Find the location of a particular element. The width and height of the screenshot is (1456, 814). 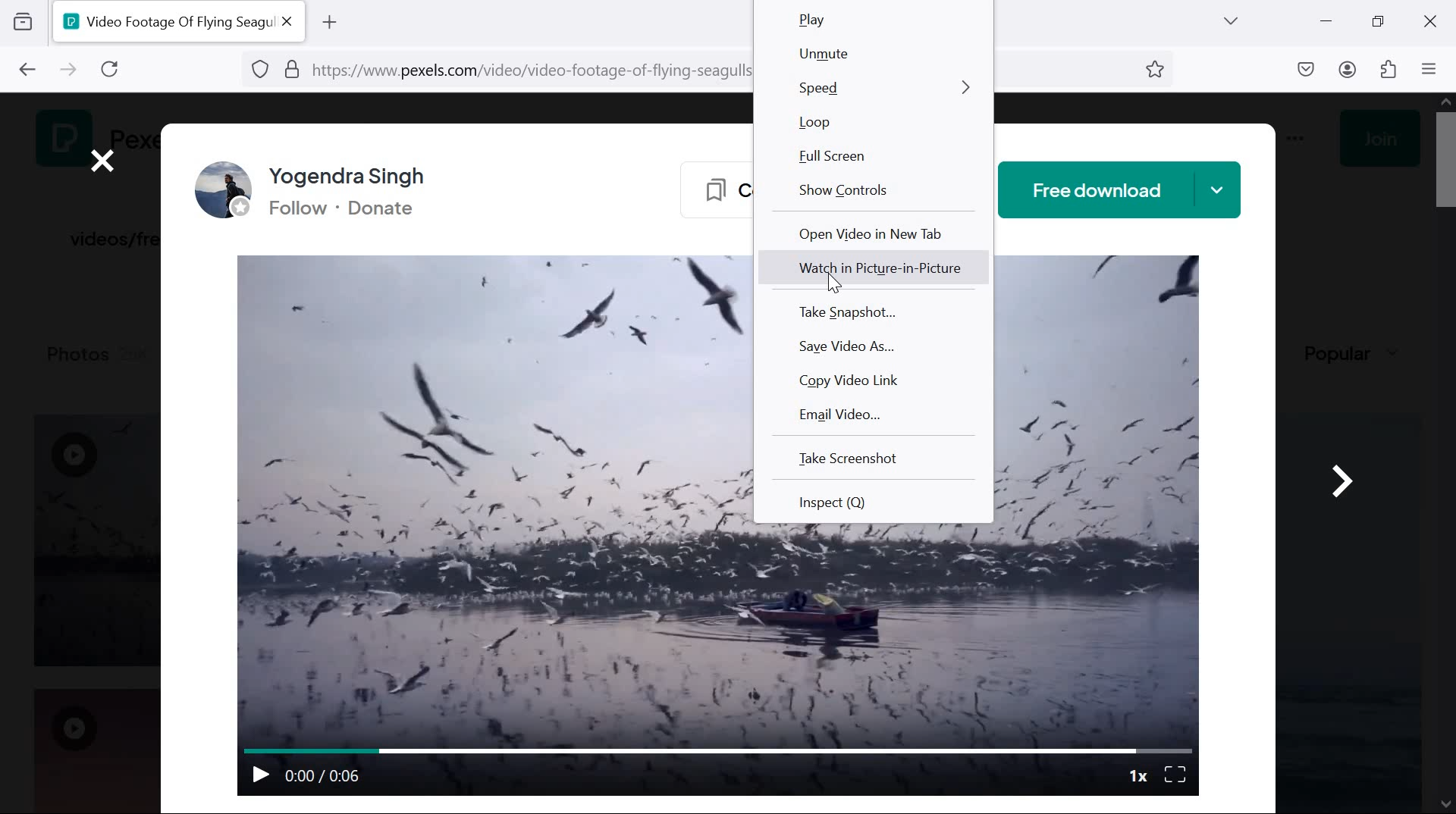

go next is located at coordinates (1341, 475).